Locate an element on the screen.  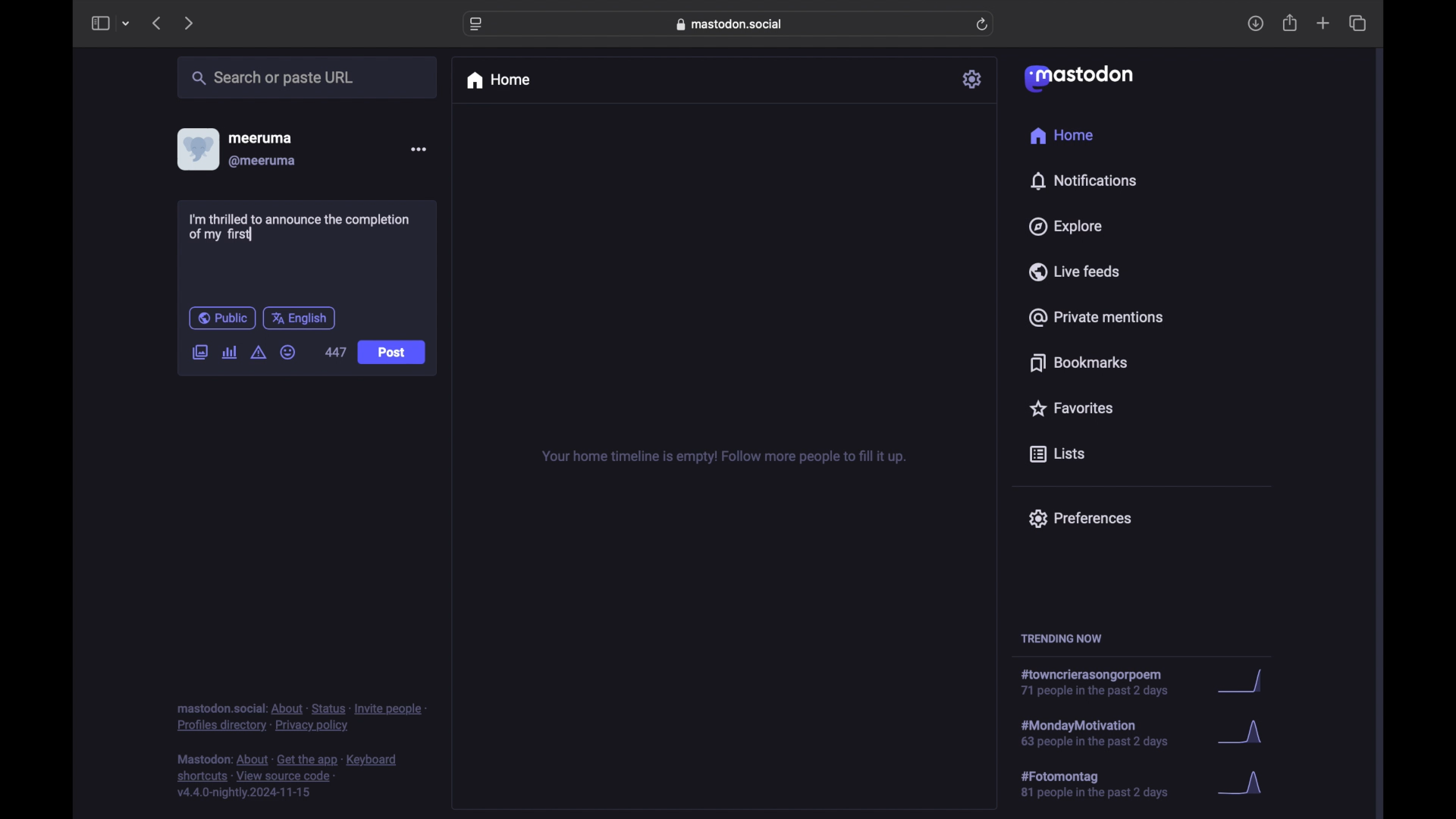
mastodon is located at coordinates (1079, 79).